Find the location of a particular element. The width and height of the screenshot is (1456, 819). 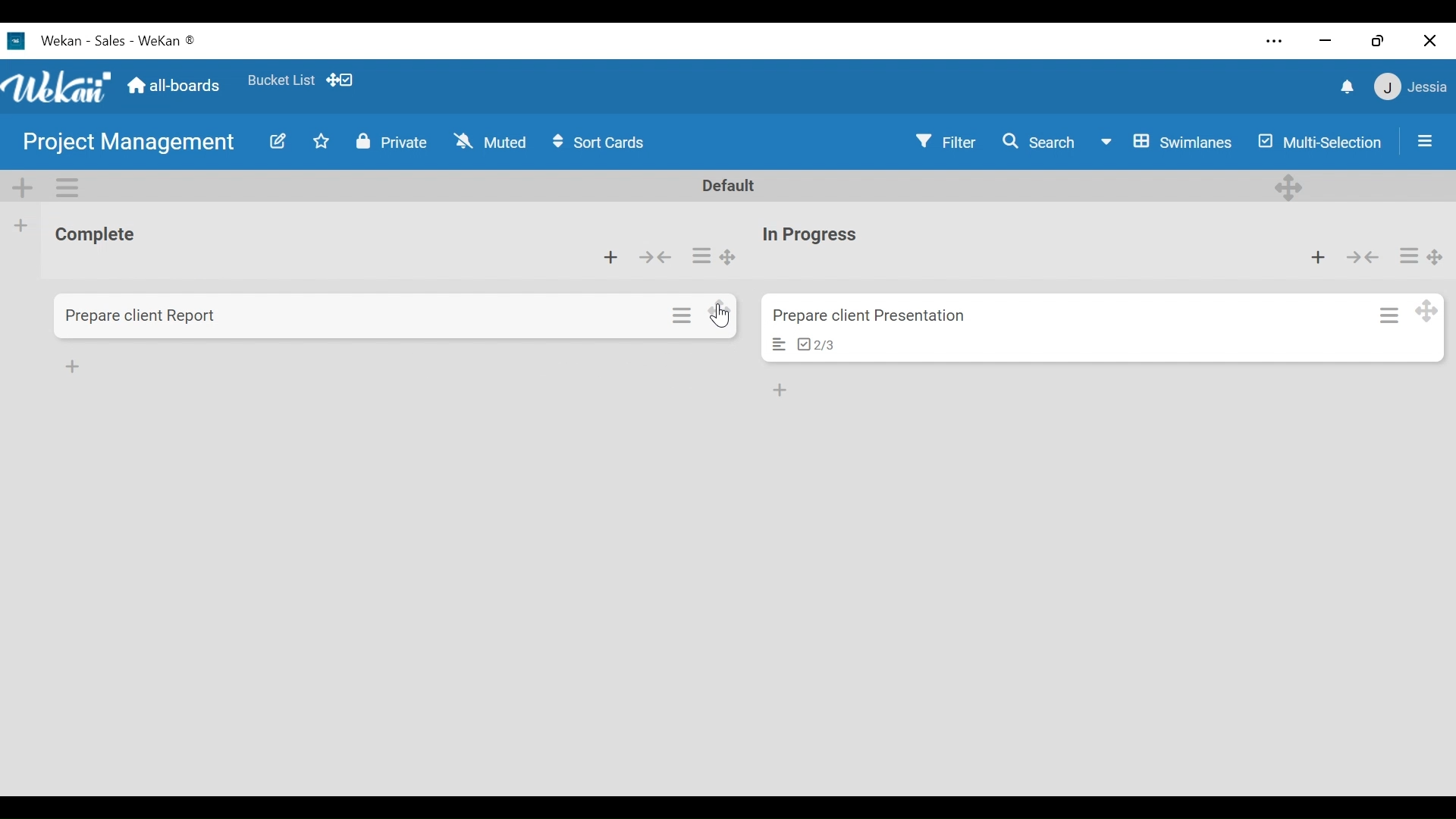

Board Title is located at coordinates (128, 145).